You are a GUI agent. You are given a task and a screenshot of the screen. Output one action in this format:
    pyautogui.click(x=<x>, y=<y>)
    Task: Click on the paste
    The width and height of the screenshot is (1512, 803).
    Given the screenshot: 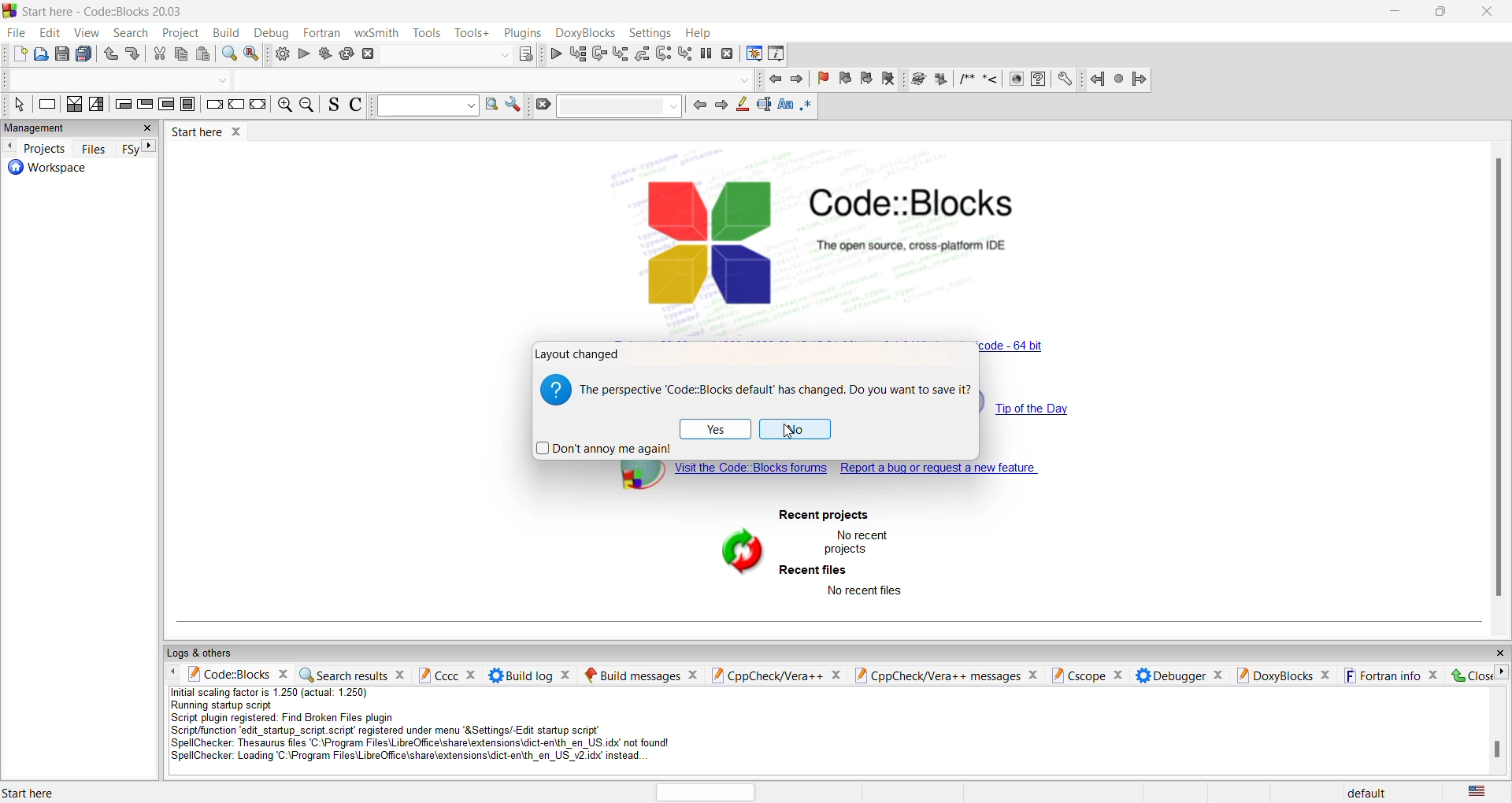 What is the action you would take?
    pyautogui.click(x=204, y=54)
    